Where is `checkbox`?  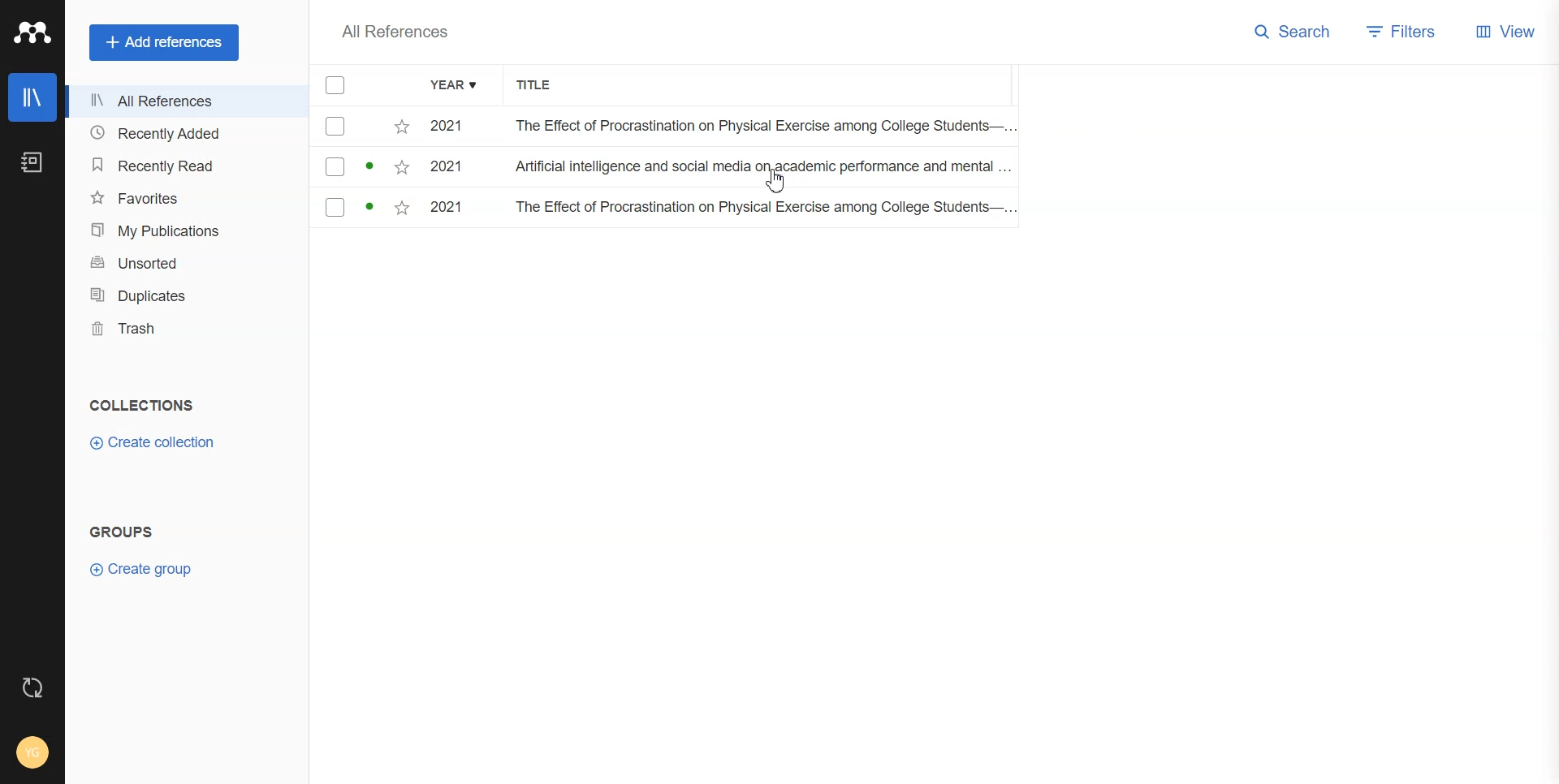 checkbox is located at coordinates (363, 168).